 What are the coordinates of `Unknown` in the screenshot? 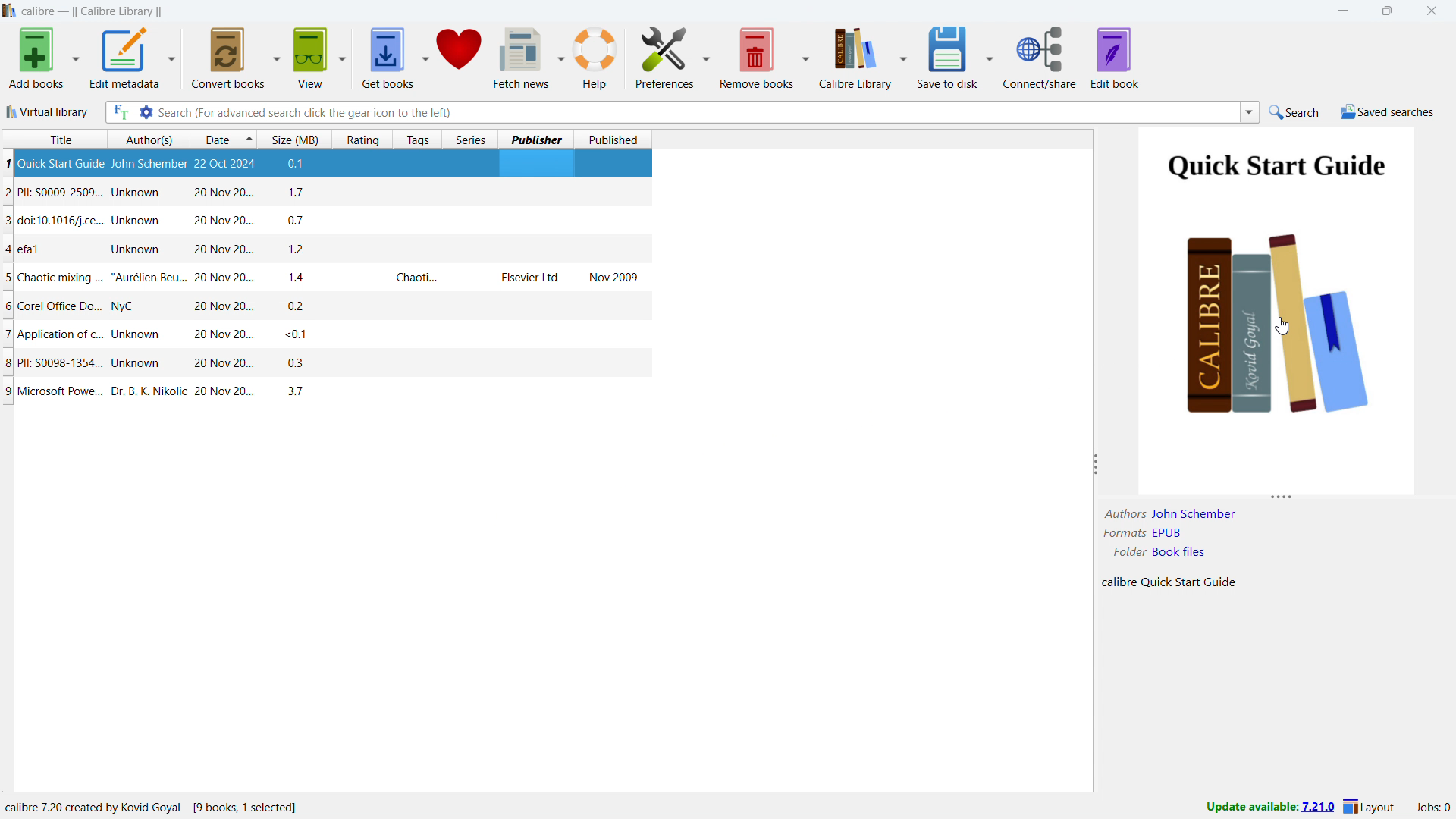 It's located at (140, 193).